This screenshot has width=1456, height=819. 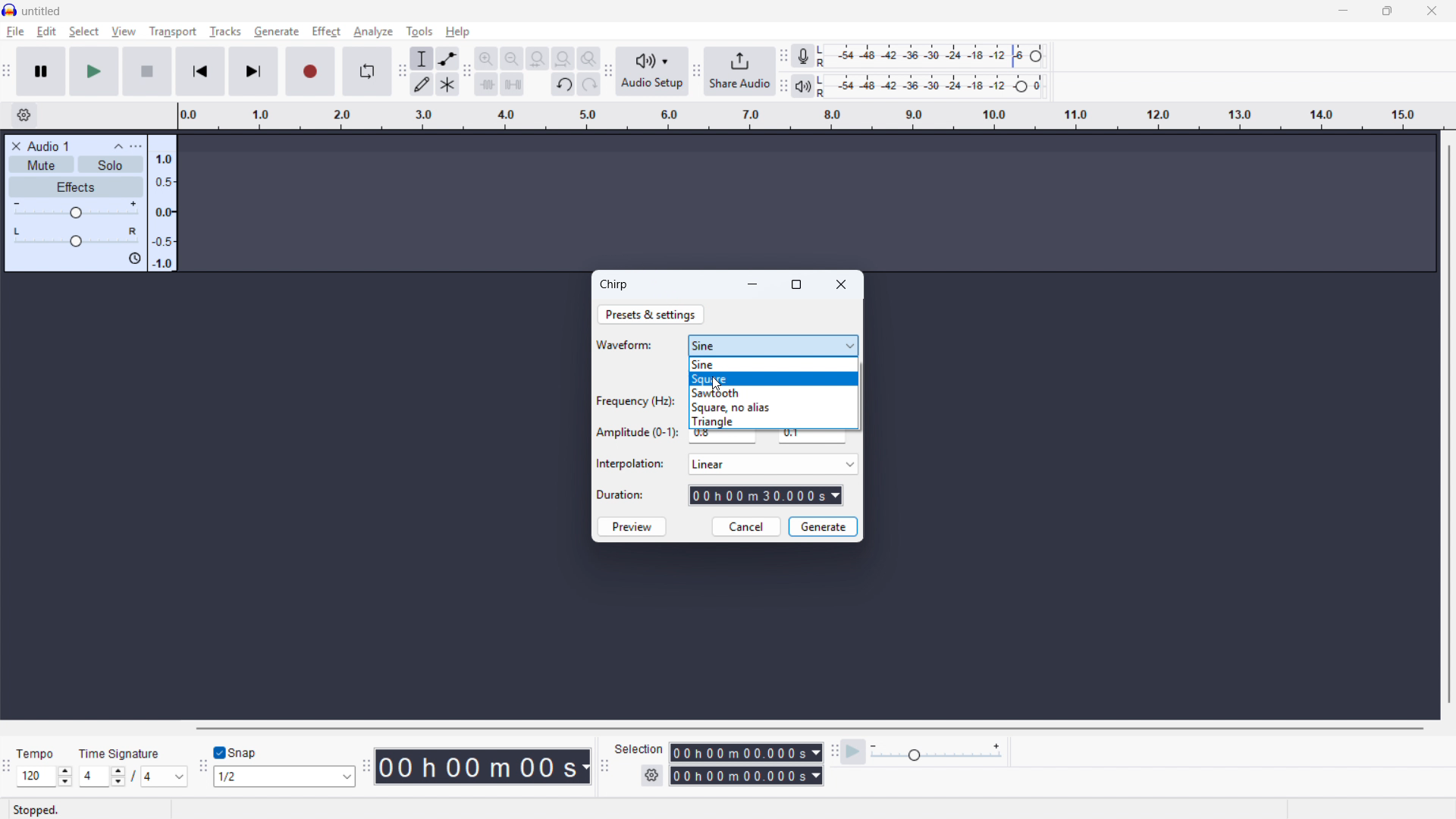 What do you see at coordinates (588, 85) in the screenshot?
I see `Redo ` at bounding box center [588, 85].